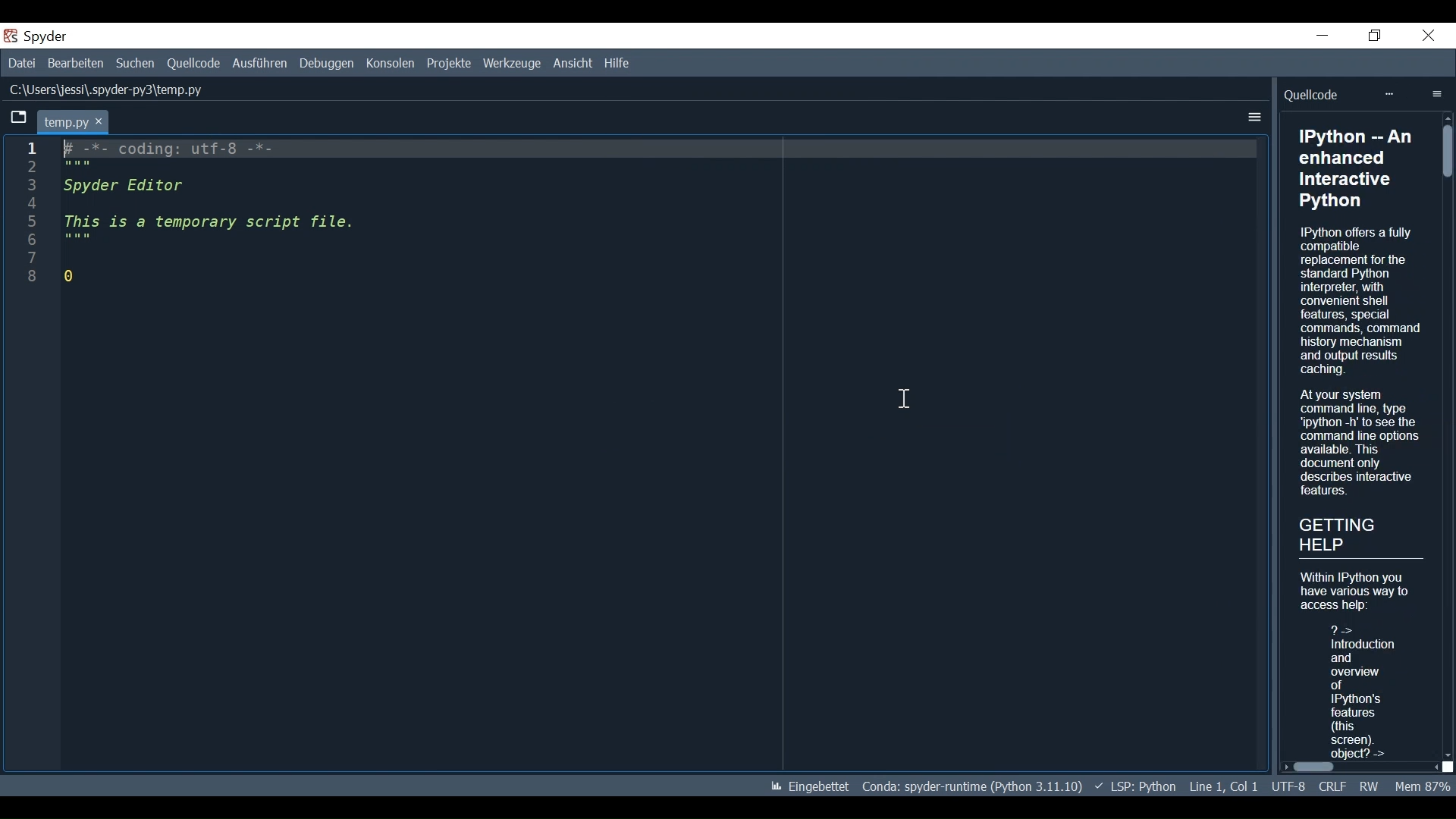 This screenshot has width=1456, height=819. I want to click on cursor (insert), so click(909, 403).